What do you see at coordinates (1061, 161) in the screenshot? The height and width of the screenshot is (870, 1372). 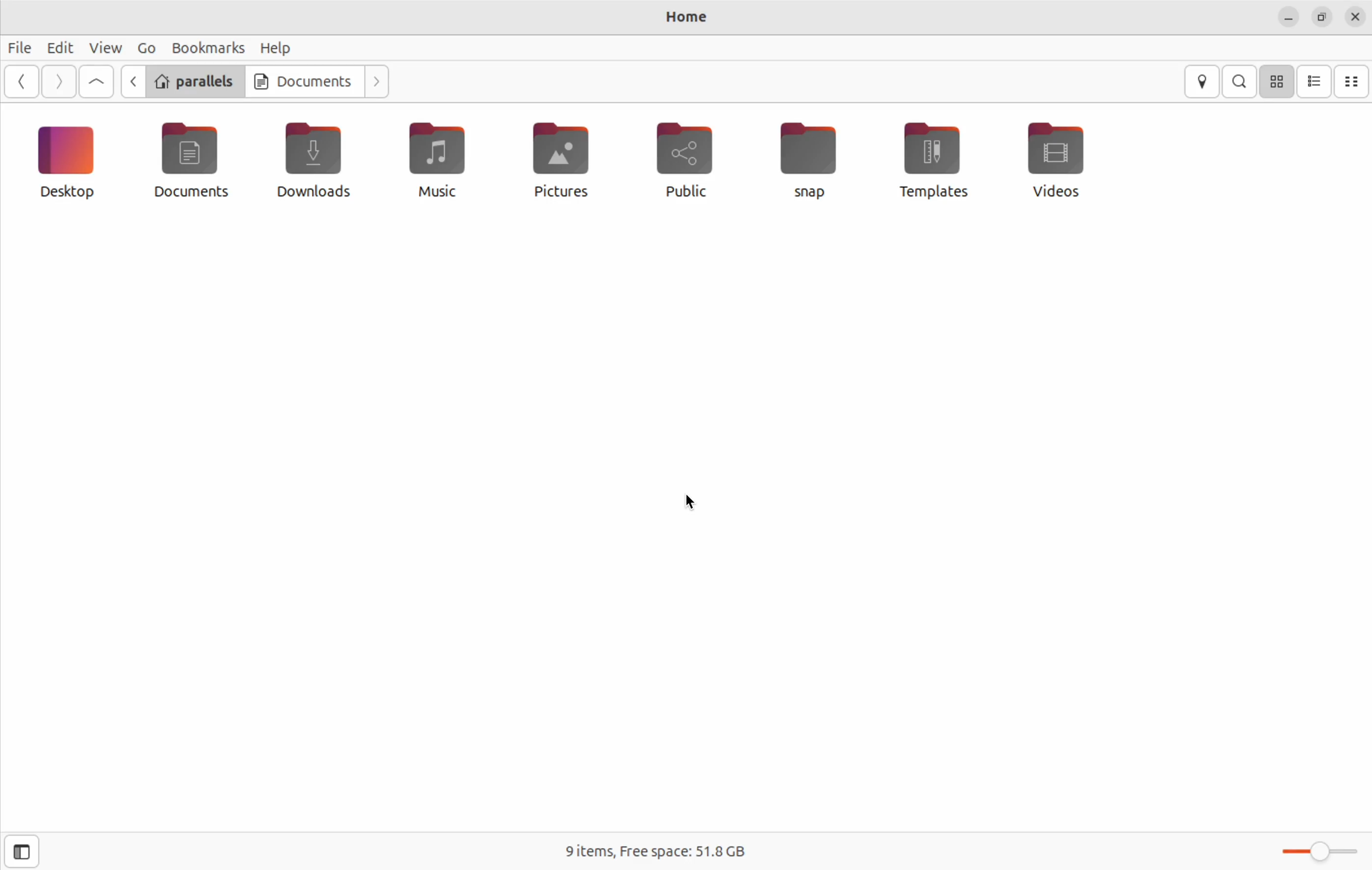 I see `videos` at bounding box center [1061, 161].